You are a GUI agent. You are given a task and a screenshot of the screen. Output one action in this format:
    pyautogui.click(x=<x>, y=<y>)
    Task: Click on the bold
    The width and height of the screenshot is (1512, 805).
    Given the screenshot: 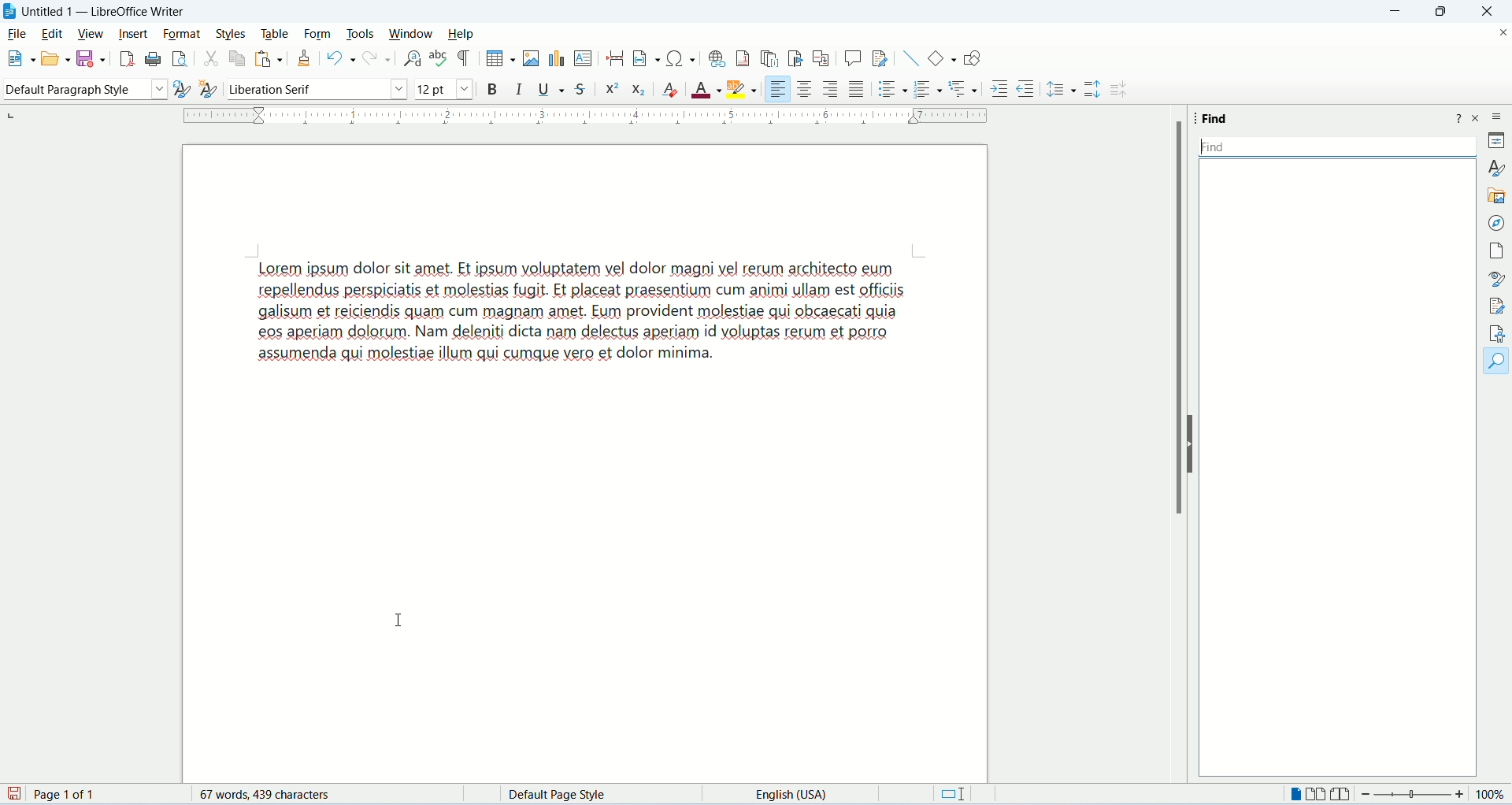 What is the action you would take?
    pyautogui.click(x=489, y=88)
    